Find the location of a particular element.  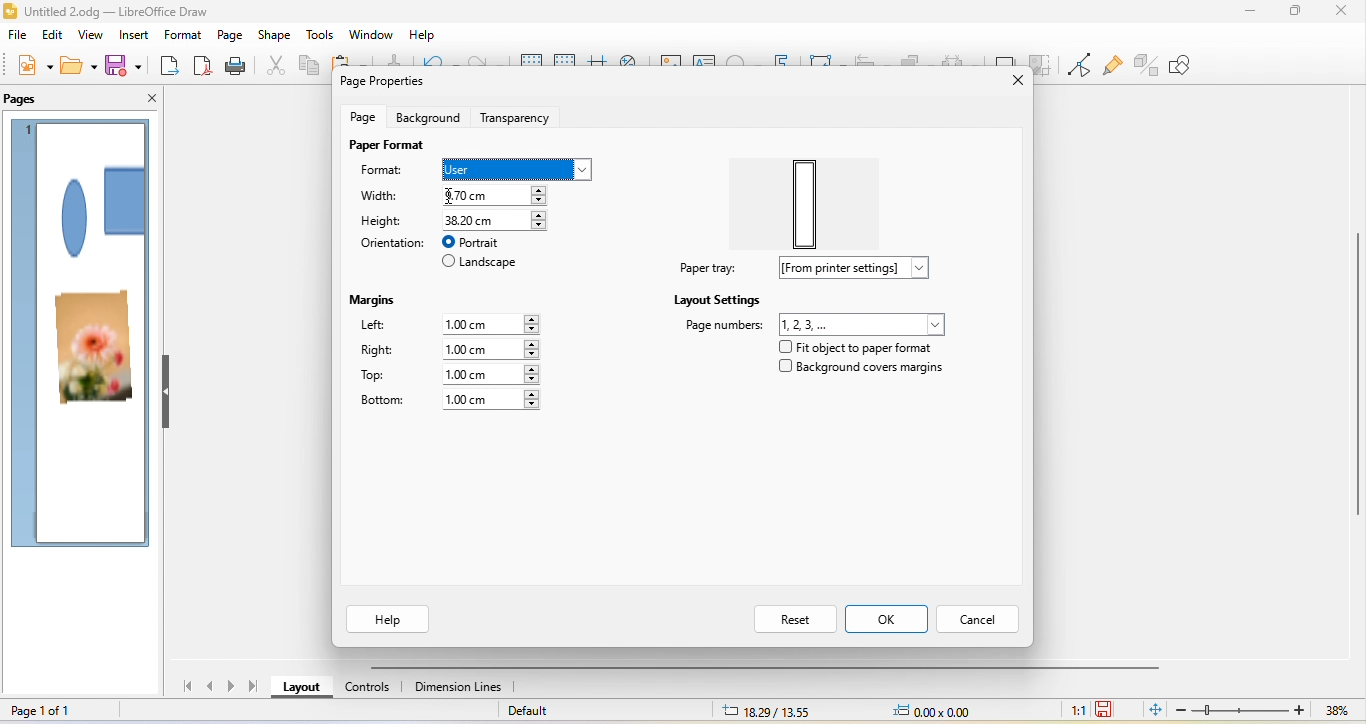

landscape is located at coordinates (487, 262).